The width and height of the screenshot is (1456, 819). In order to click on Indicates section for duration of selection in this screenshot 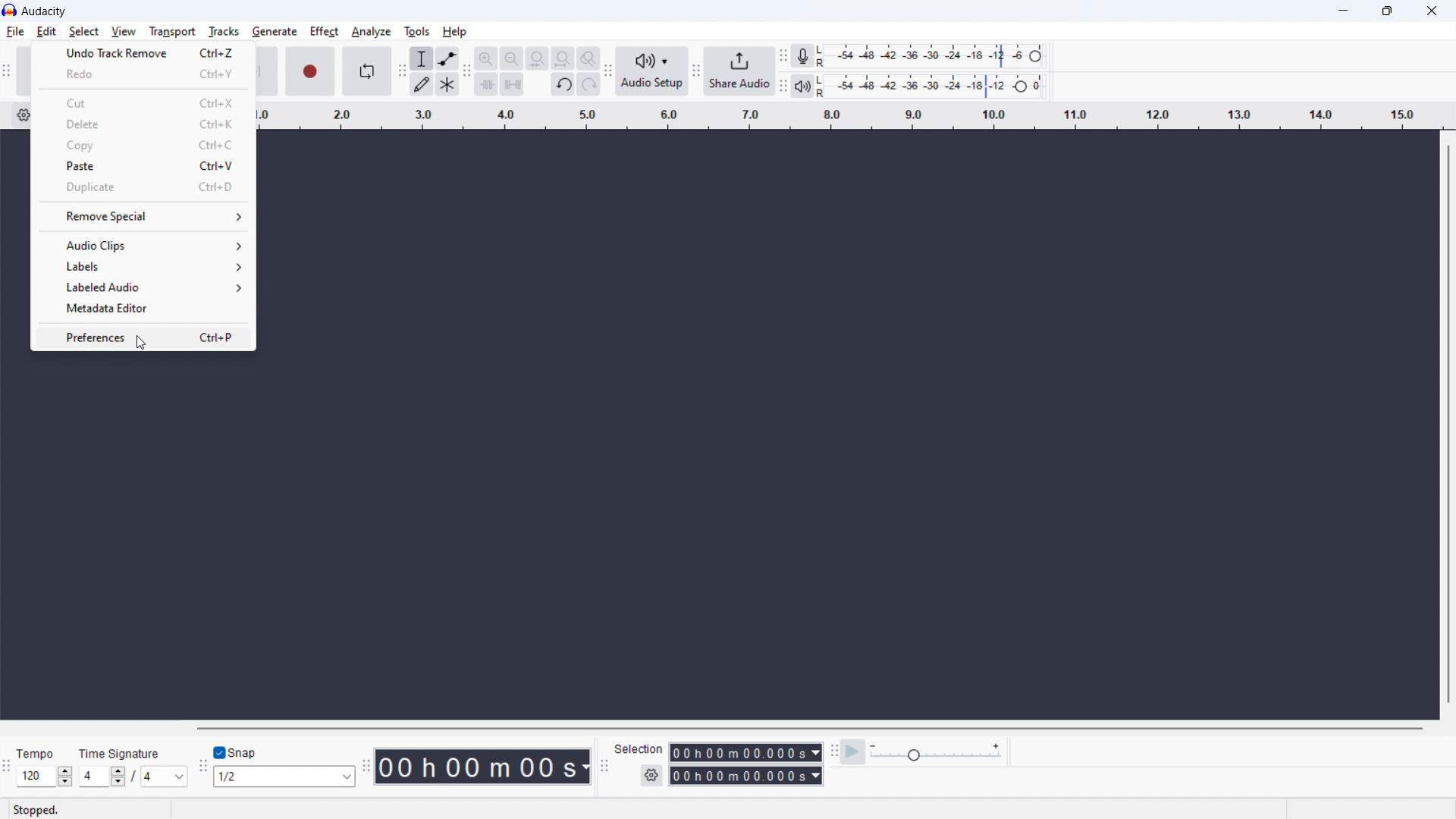, I will do `click(639, 748)`.